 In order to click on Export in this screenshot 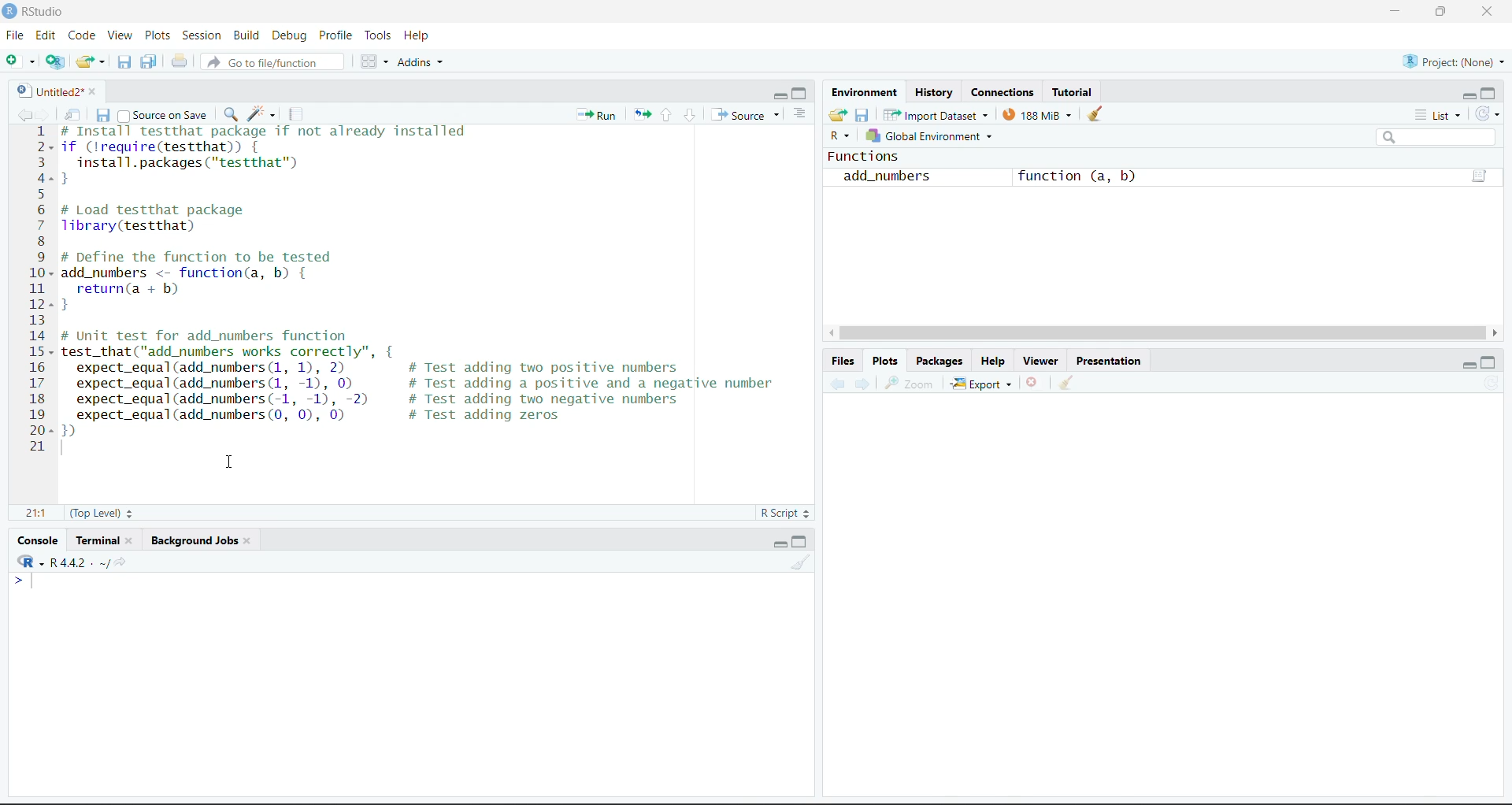, I will do `click(983, 384)`.